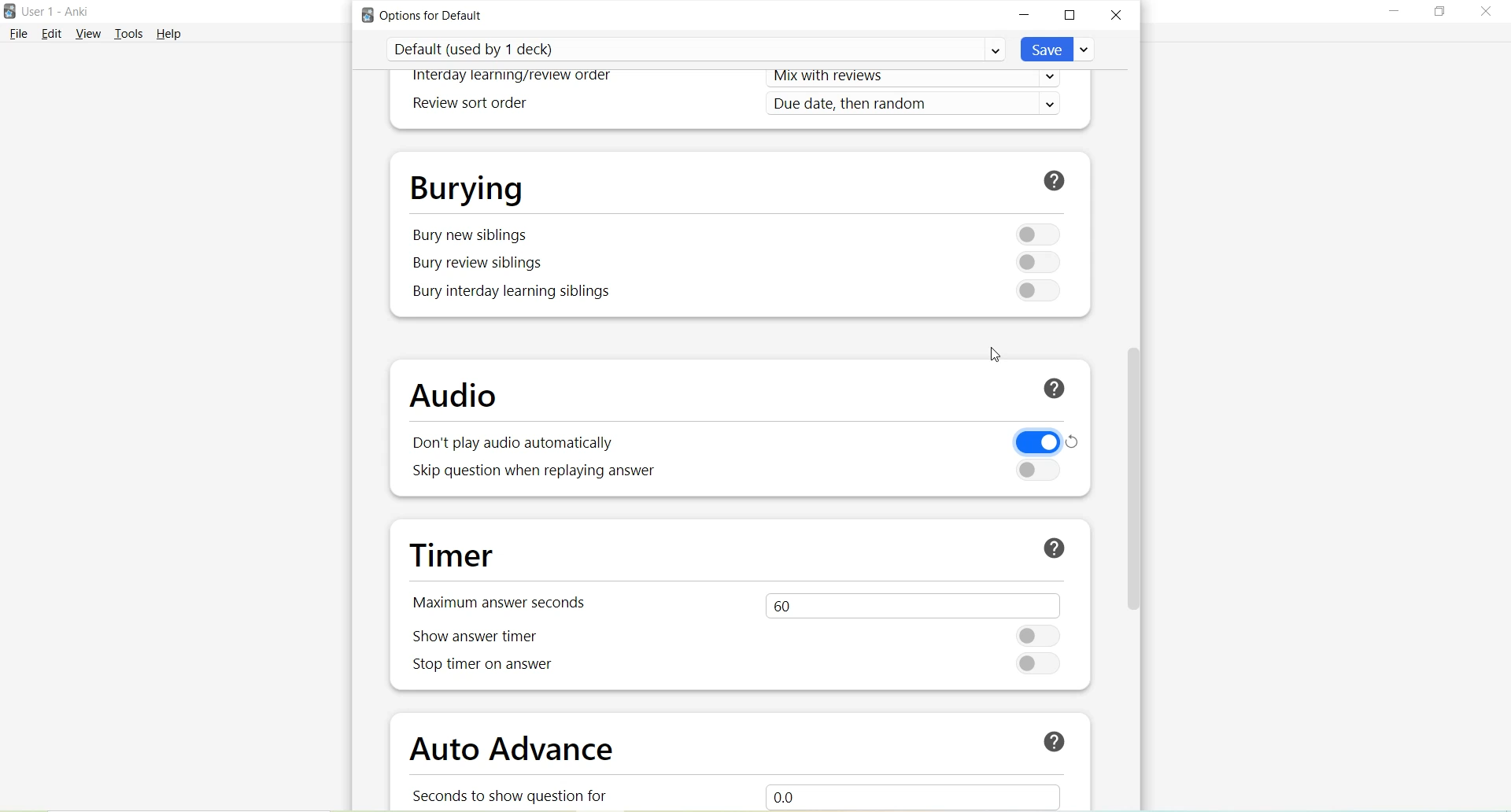  I want to click on Default (used by 1 deck), so click(696, 49).